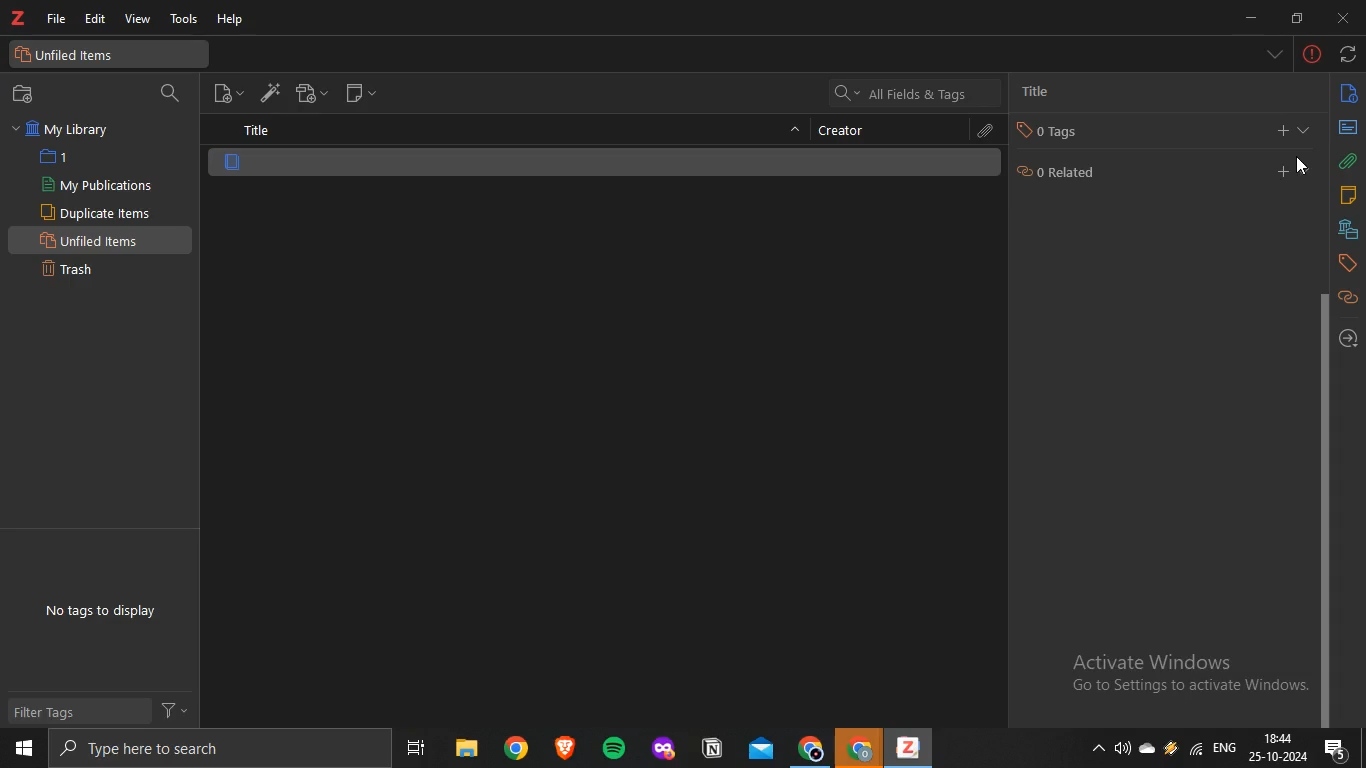  Describe the element at coordinates (28, 550) in the screenshot. I see `text` at that location.